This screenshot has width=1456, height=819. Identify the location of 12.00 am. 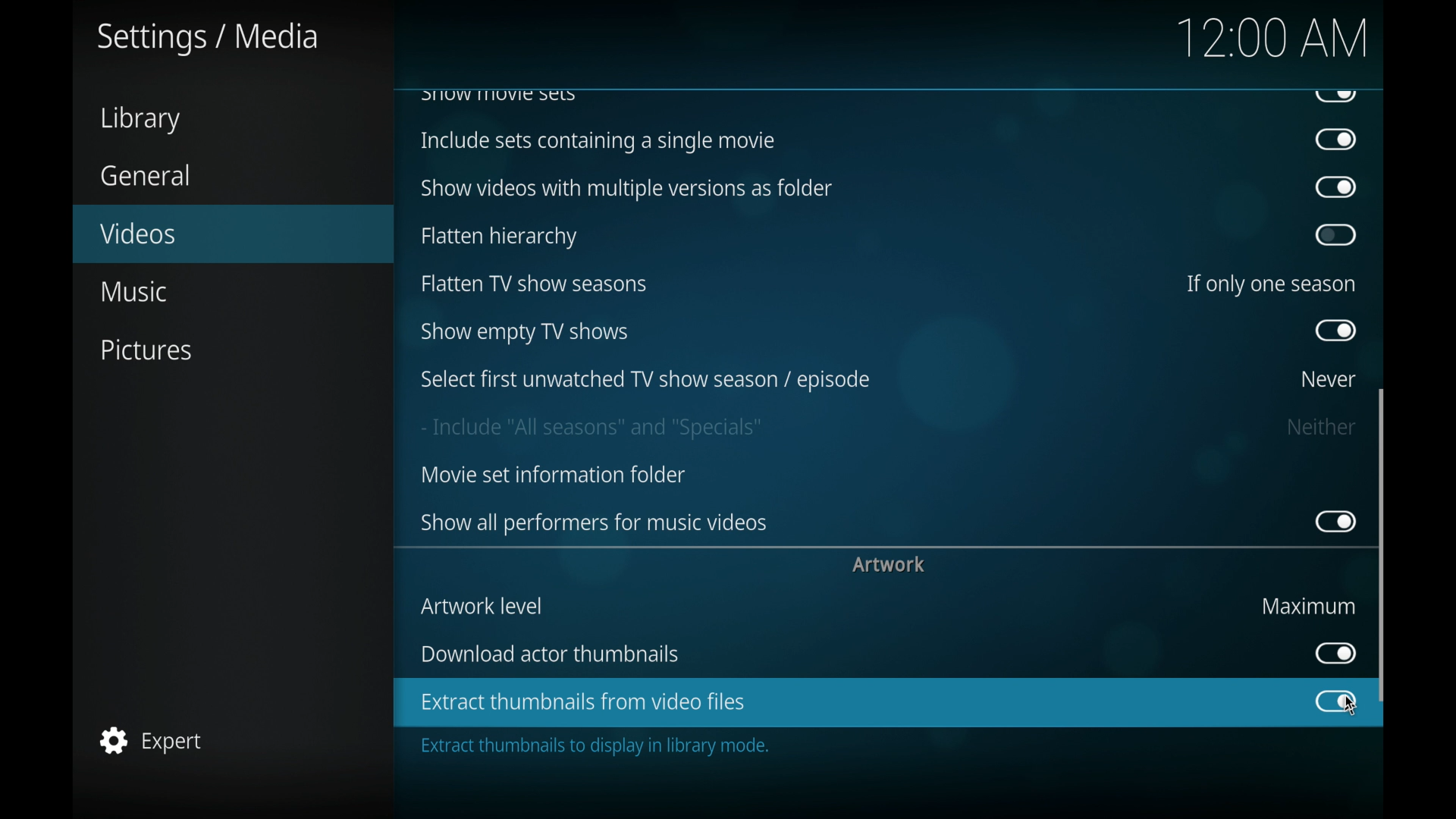
(1273, 38).